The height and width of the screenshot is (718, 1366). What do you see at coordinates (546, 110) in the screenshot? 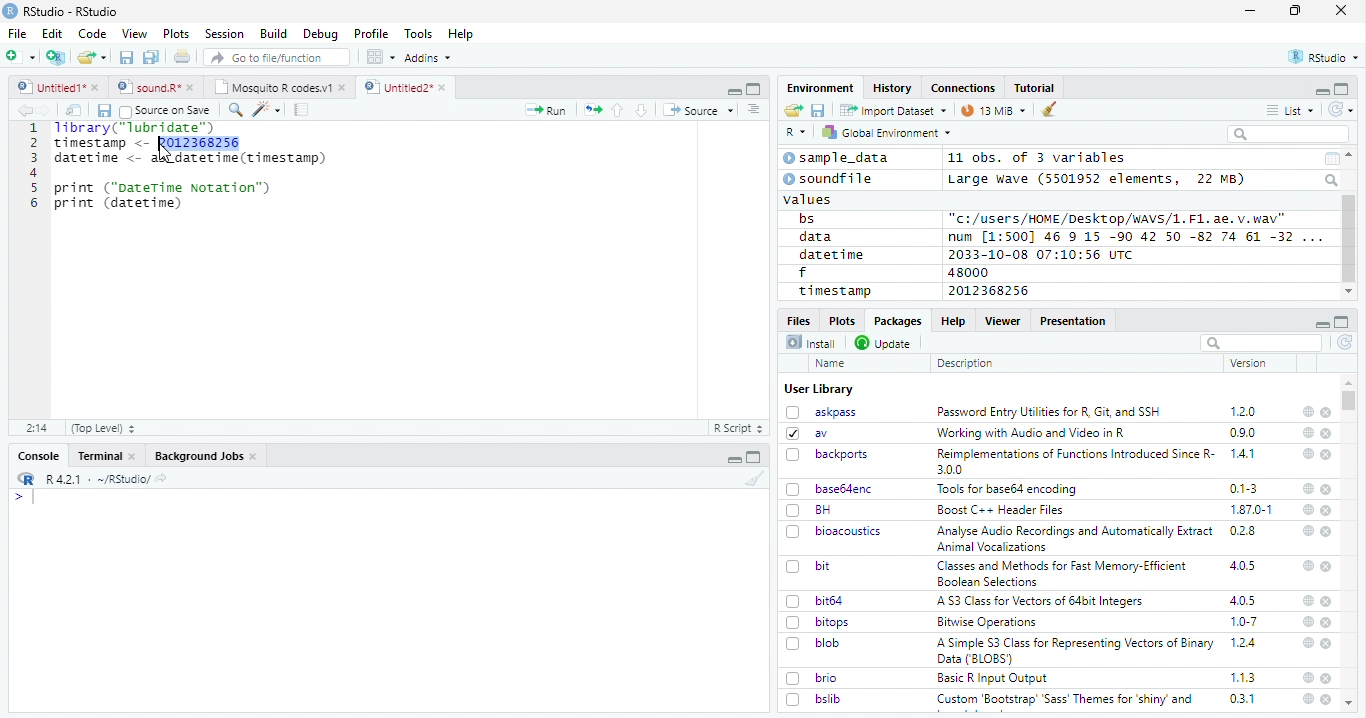
I see `Run the current line` at bounding box center [546, 110].